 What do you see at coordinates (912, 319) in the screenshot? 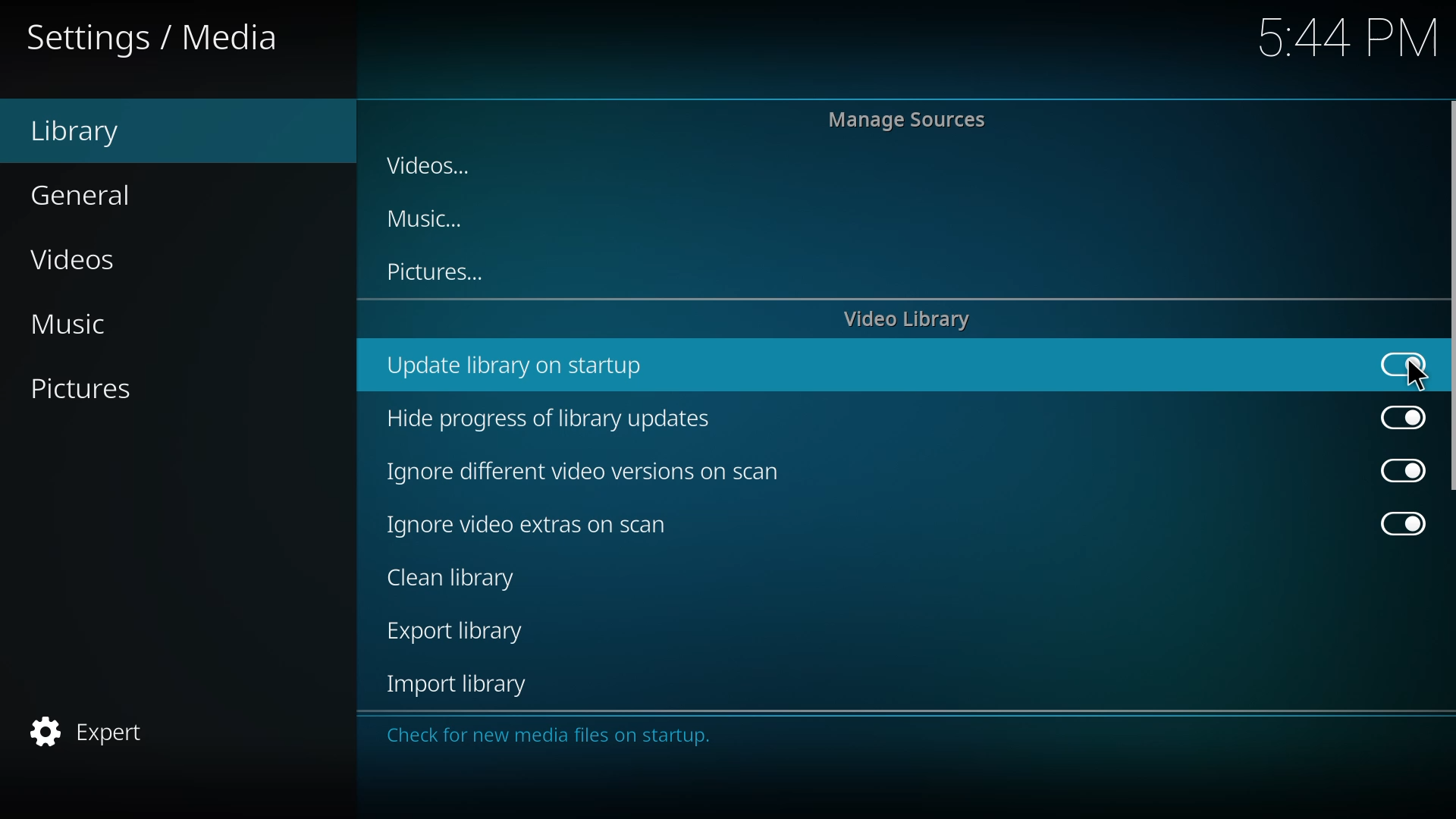
I see `video library` at bounding box center [912, 319].